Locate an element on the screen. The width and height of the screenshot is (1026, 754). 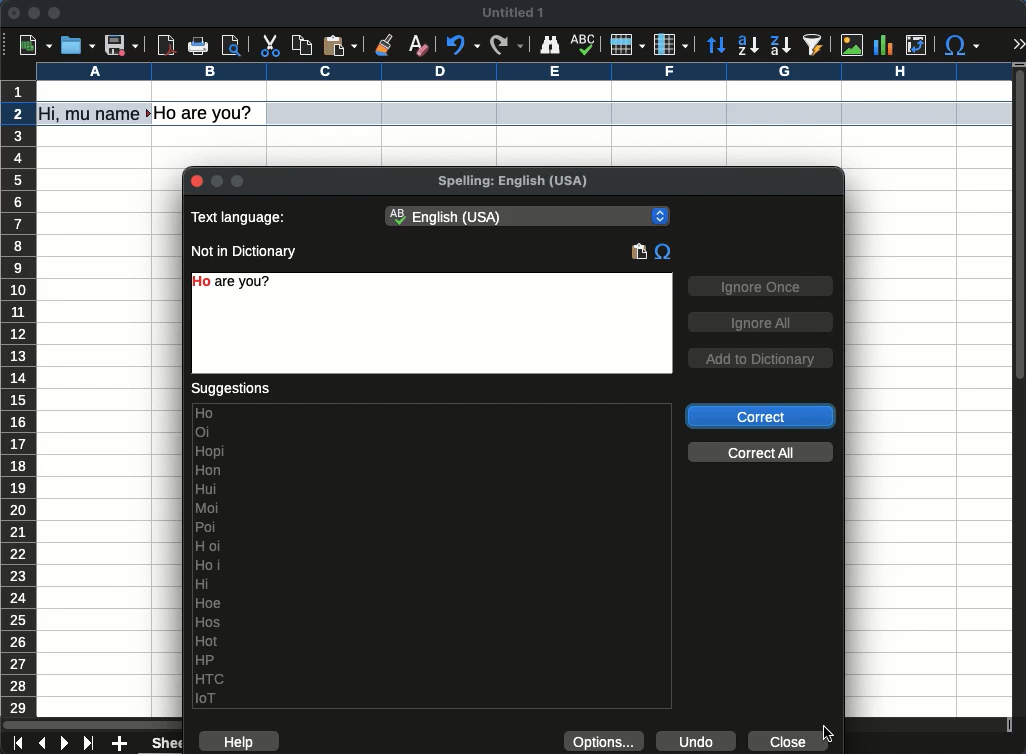
sort is located at coordinates (814, 45).